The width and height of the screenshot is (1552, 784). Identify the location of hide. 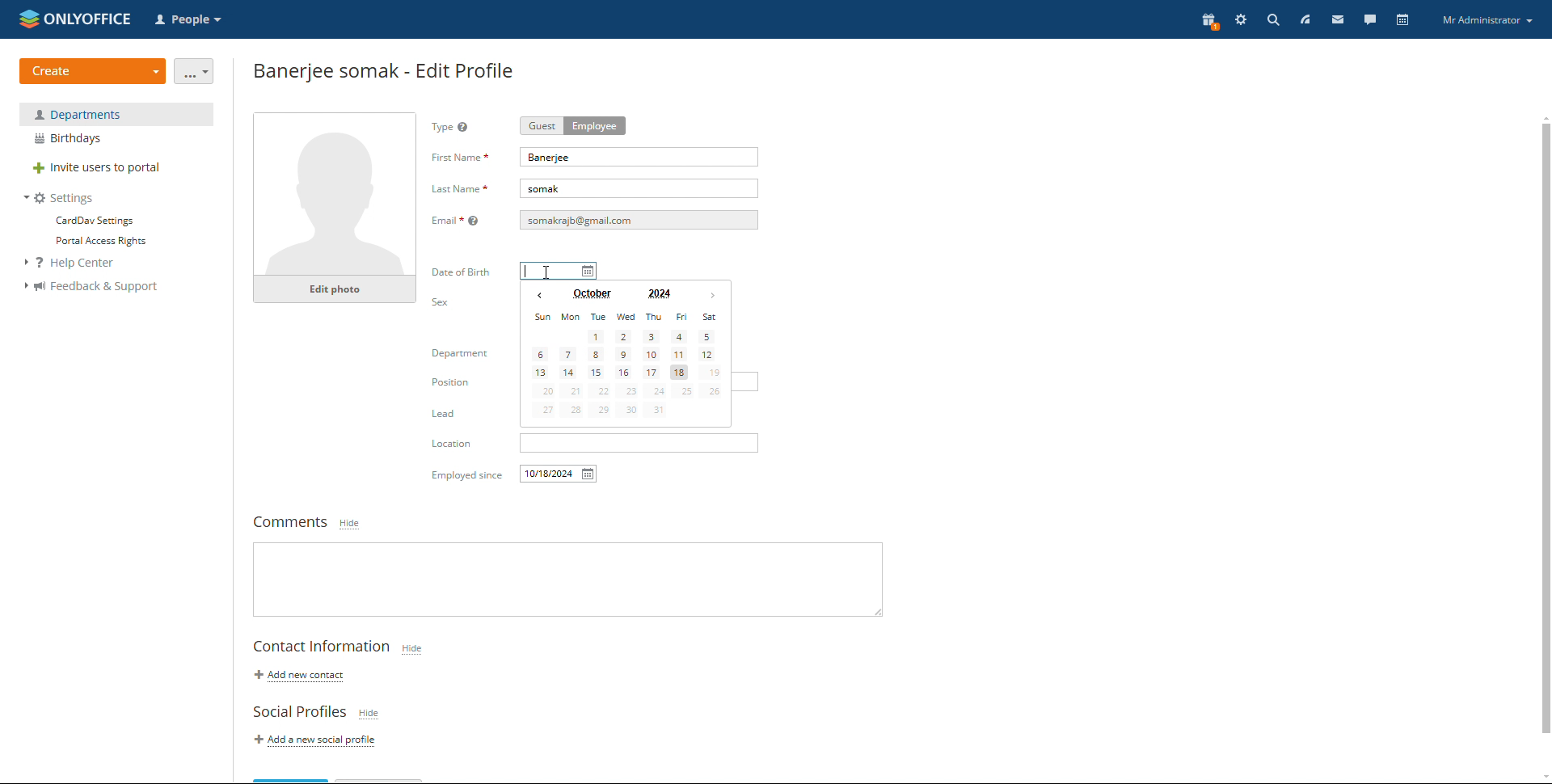
(348, 525).